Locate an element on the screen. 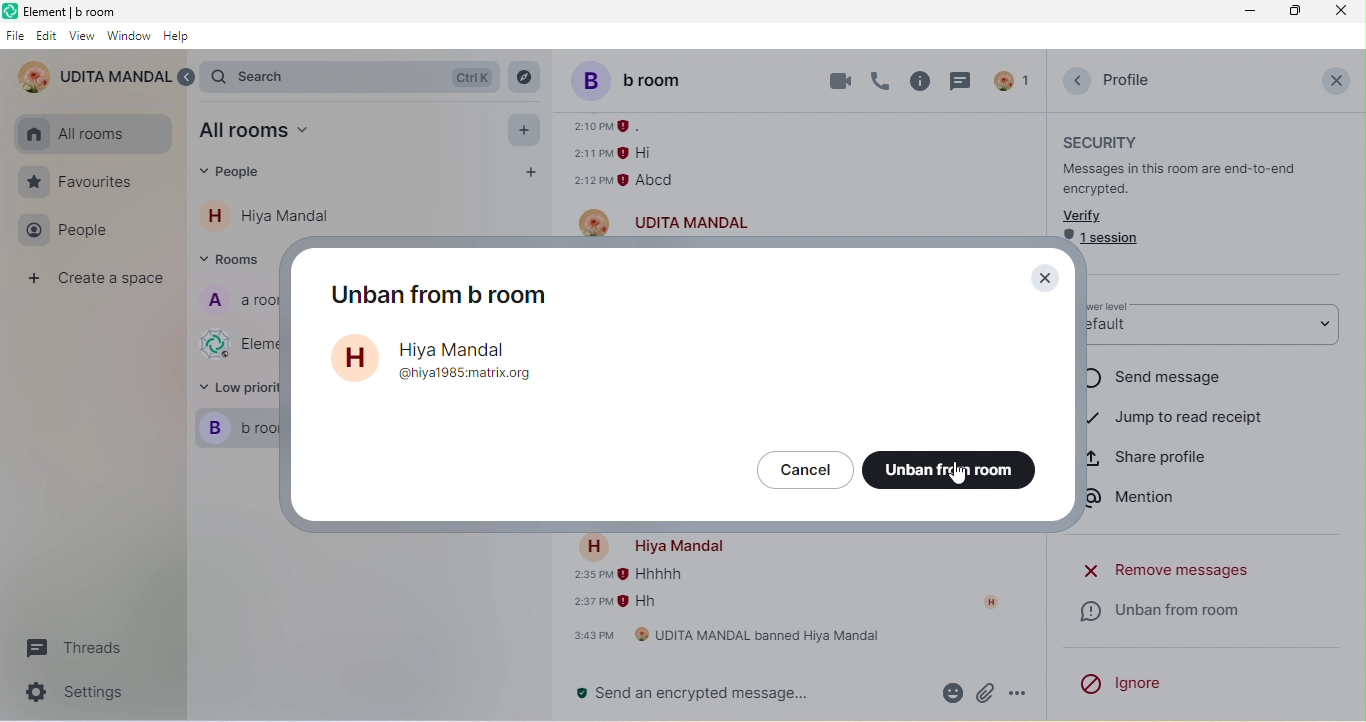  mention is located at coordinates (1137, 496).